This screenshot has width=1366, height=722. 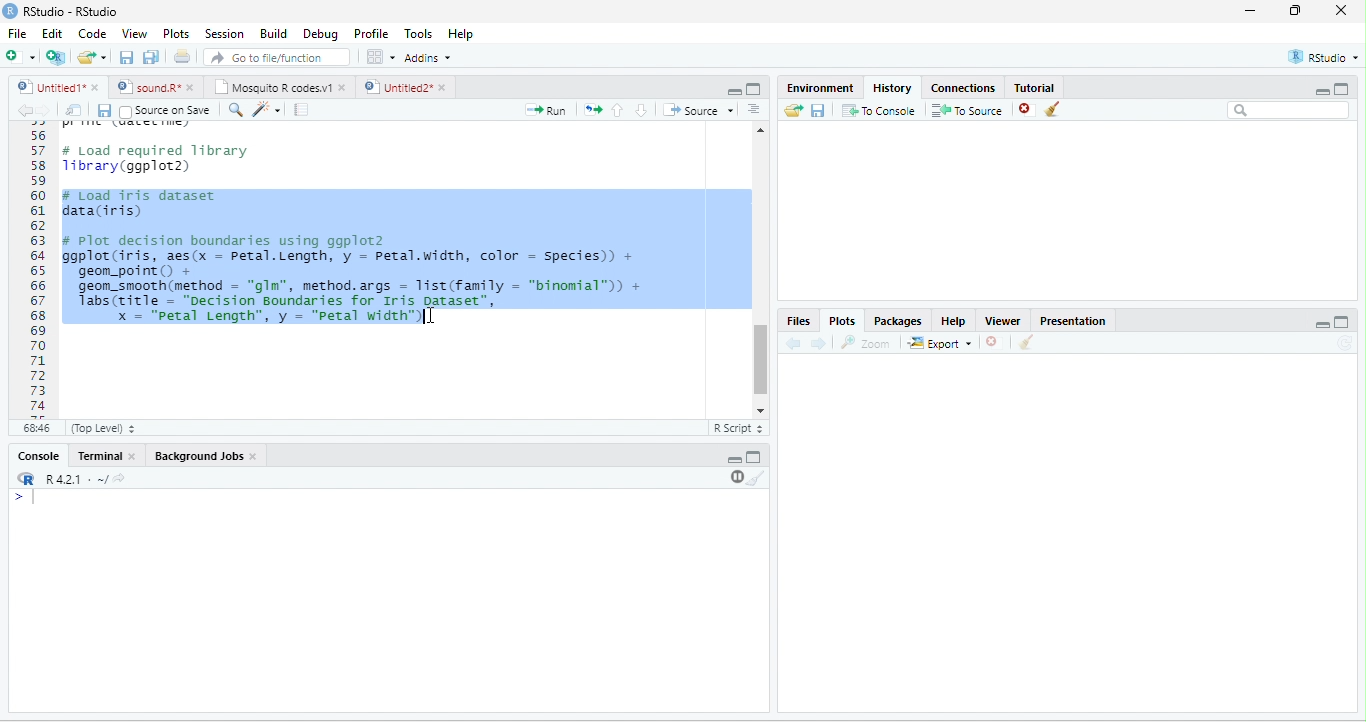 I want to click on search bar, so click(x=1289, y=109).